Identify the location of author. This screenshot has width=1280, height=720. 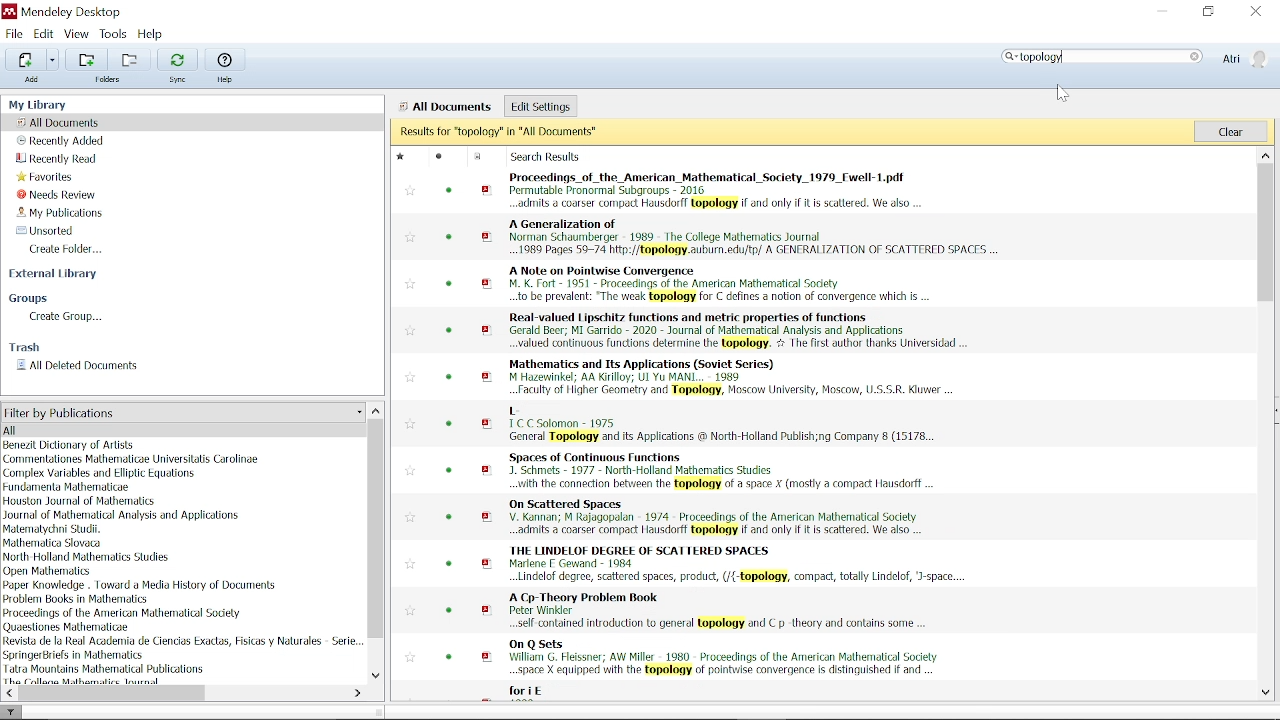
(121, 515).